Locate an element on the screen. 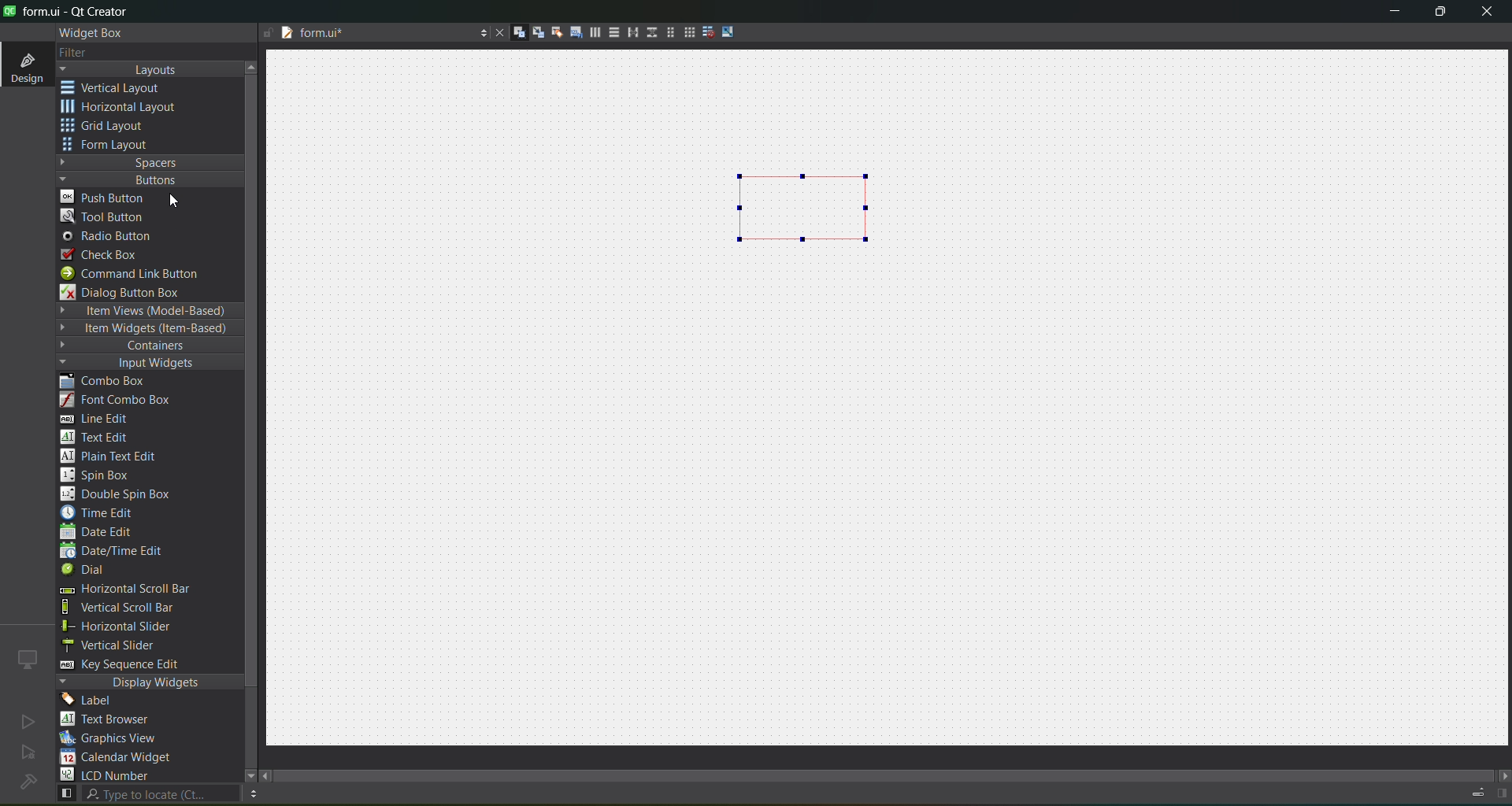 The image size is (1512, 806). check box is located at coordinates (107, 255).